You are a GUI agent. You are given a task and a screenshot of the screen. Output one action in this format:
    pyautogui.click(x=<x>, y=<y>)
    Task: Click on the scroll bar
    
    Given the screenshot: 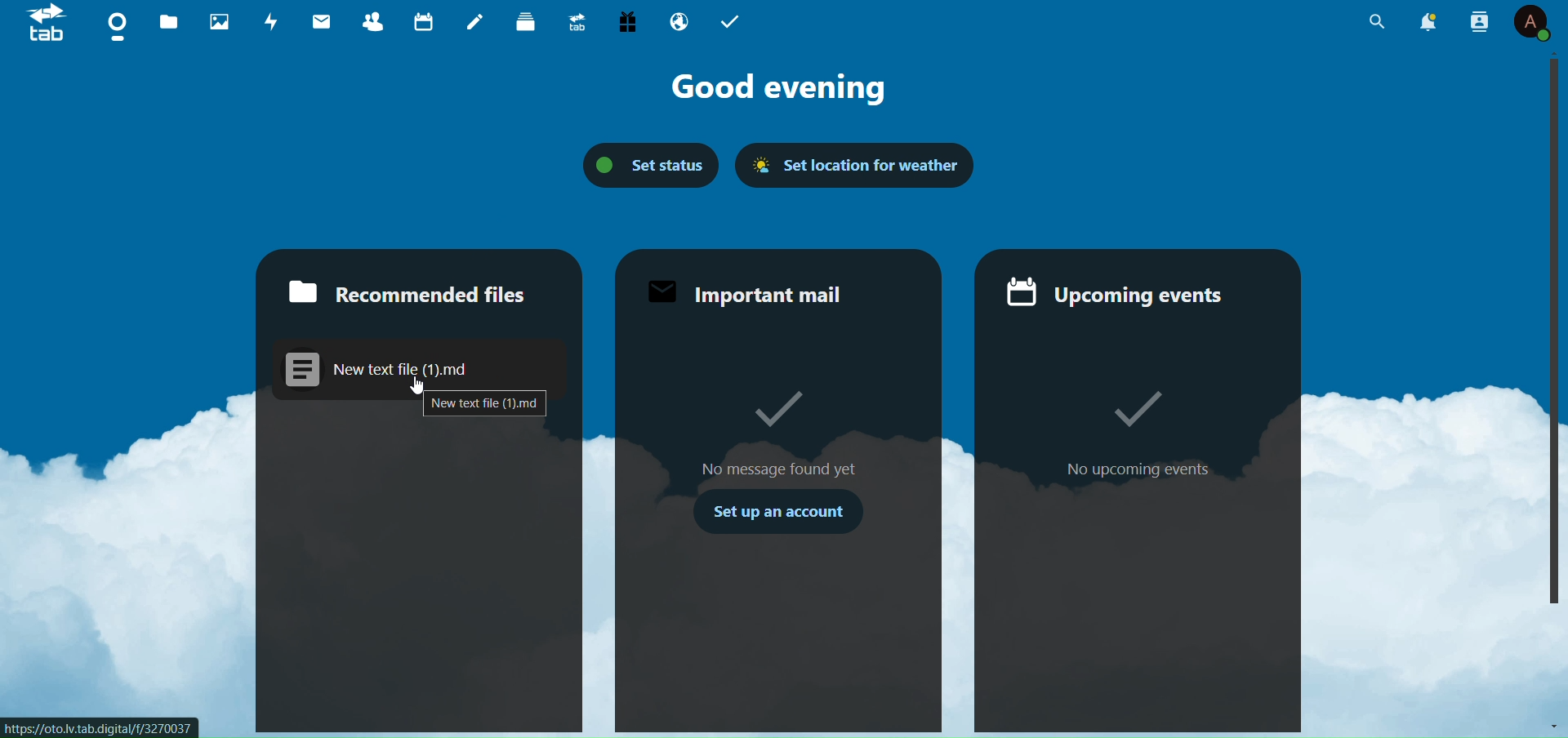 What is the action you would take?
    pyautogui.click(x=1555, y=334)
    